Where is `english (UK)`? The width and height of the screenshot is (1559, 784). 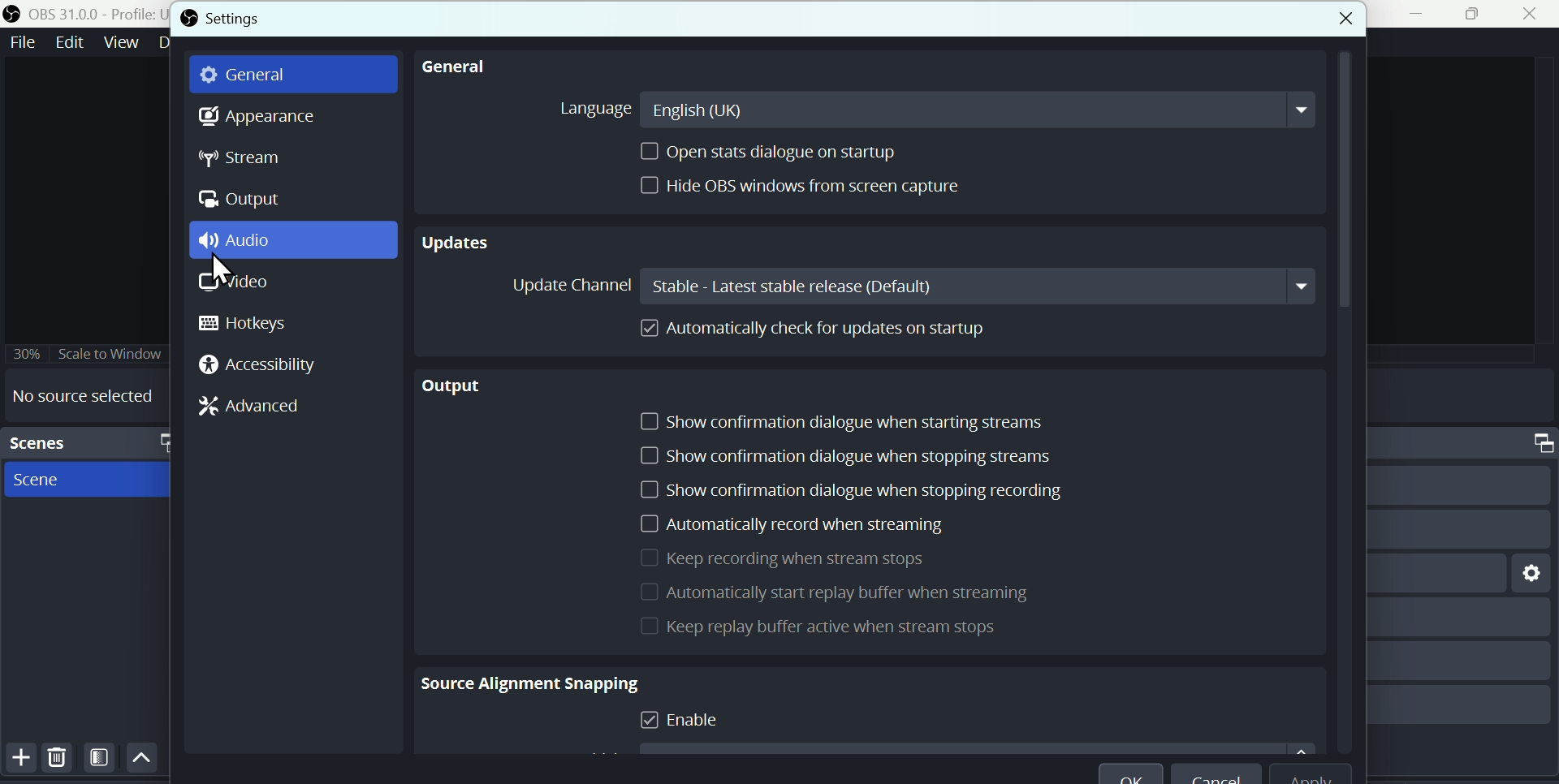 english (UK) is located at coordinates (978, 110).